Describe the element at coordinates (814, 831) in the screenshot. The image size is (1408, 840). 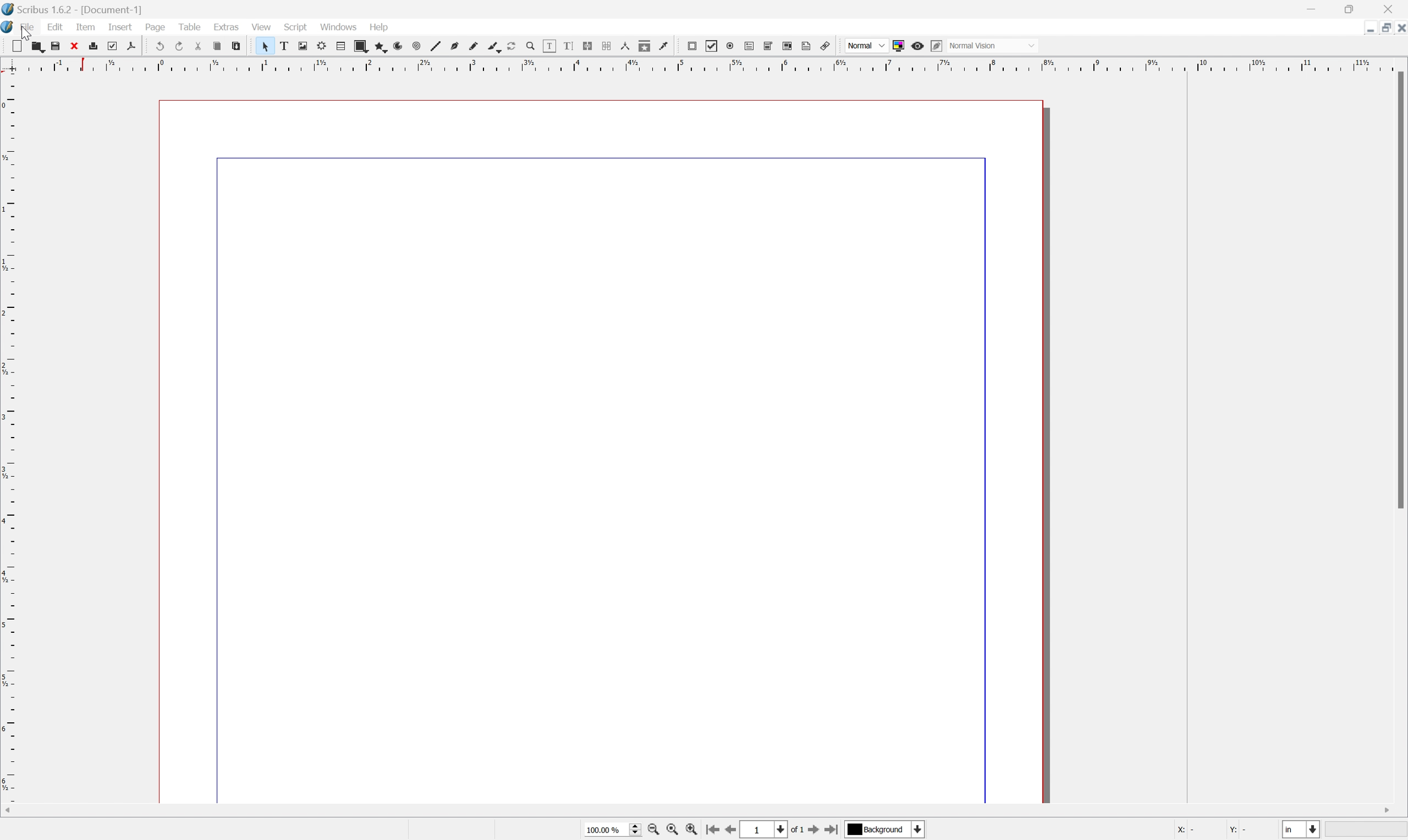
I see `go to next page` at that location.